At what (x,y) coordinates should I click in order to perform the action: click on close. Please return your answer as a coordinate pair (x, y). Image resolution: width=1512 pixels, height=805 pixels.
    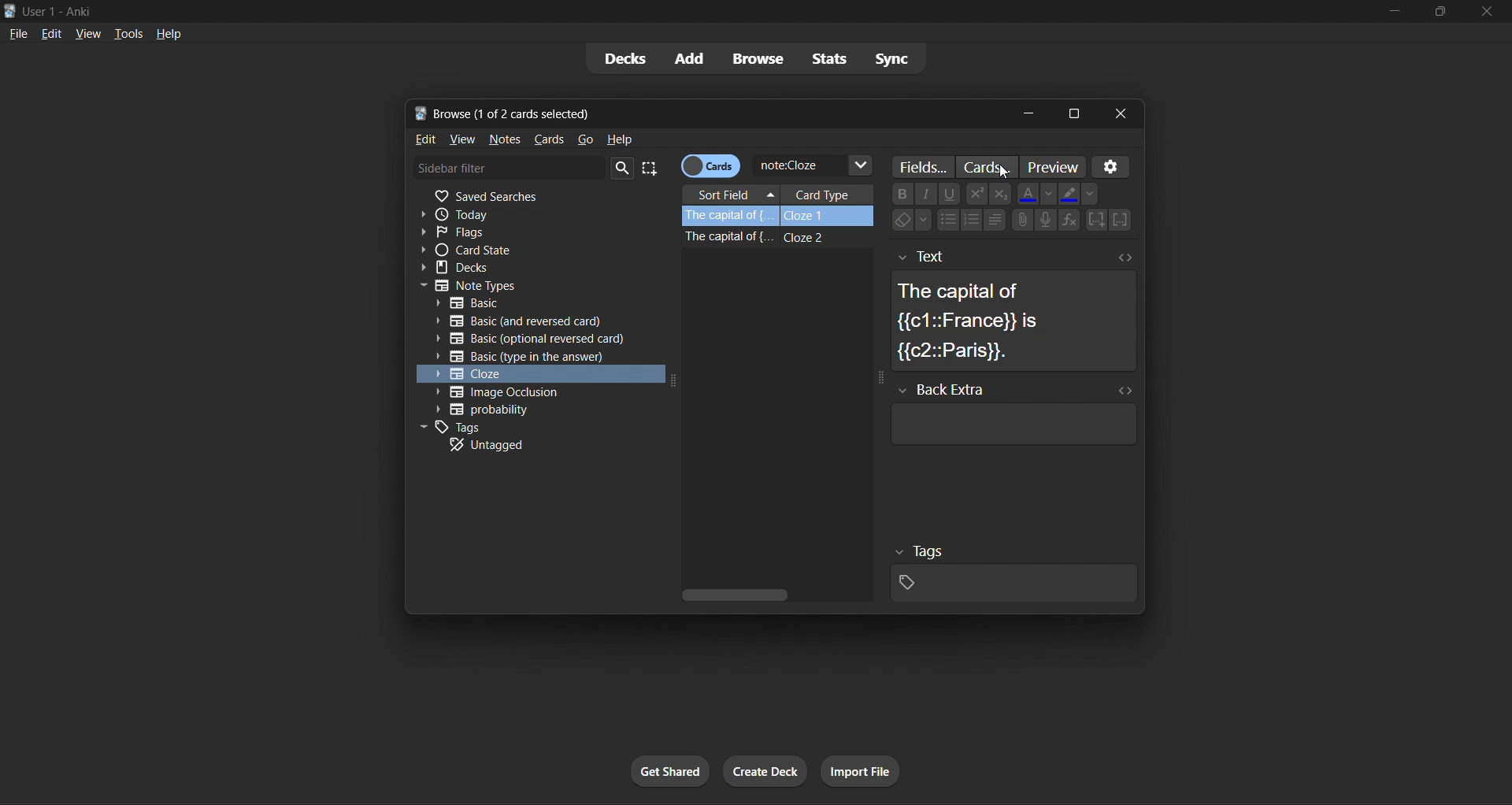
    Looking at the image, I should click on (1485, 10).